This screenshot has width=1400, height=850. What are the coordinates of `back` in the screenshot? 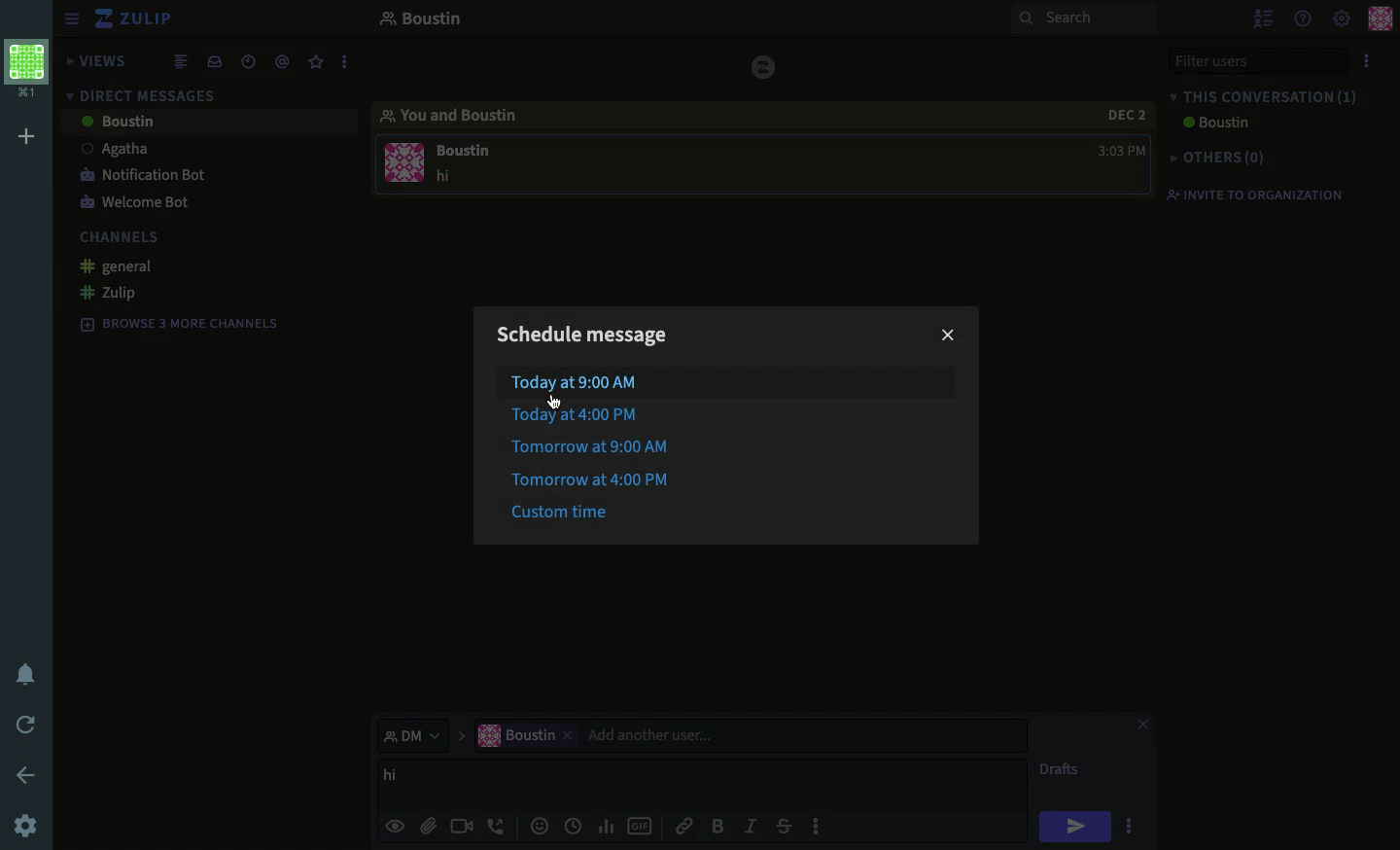 It's located at (29, 775).